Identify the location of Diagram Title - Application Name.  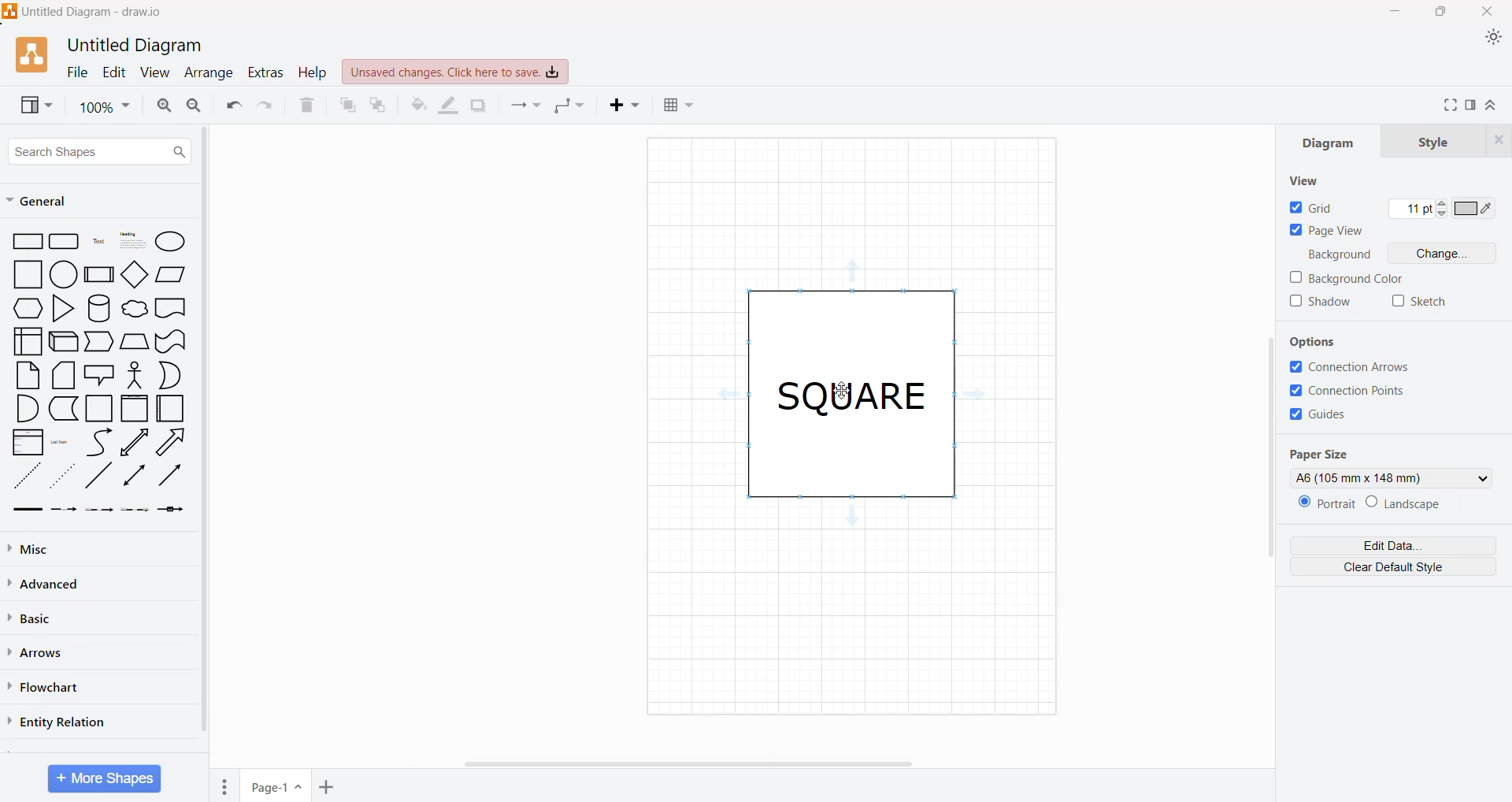
(91, 12).